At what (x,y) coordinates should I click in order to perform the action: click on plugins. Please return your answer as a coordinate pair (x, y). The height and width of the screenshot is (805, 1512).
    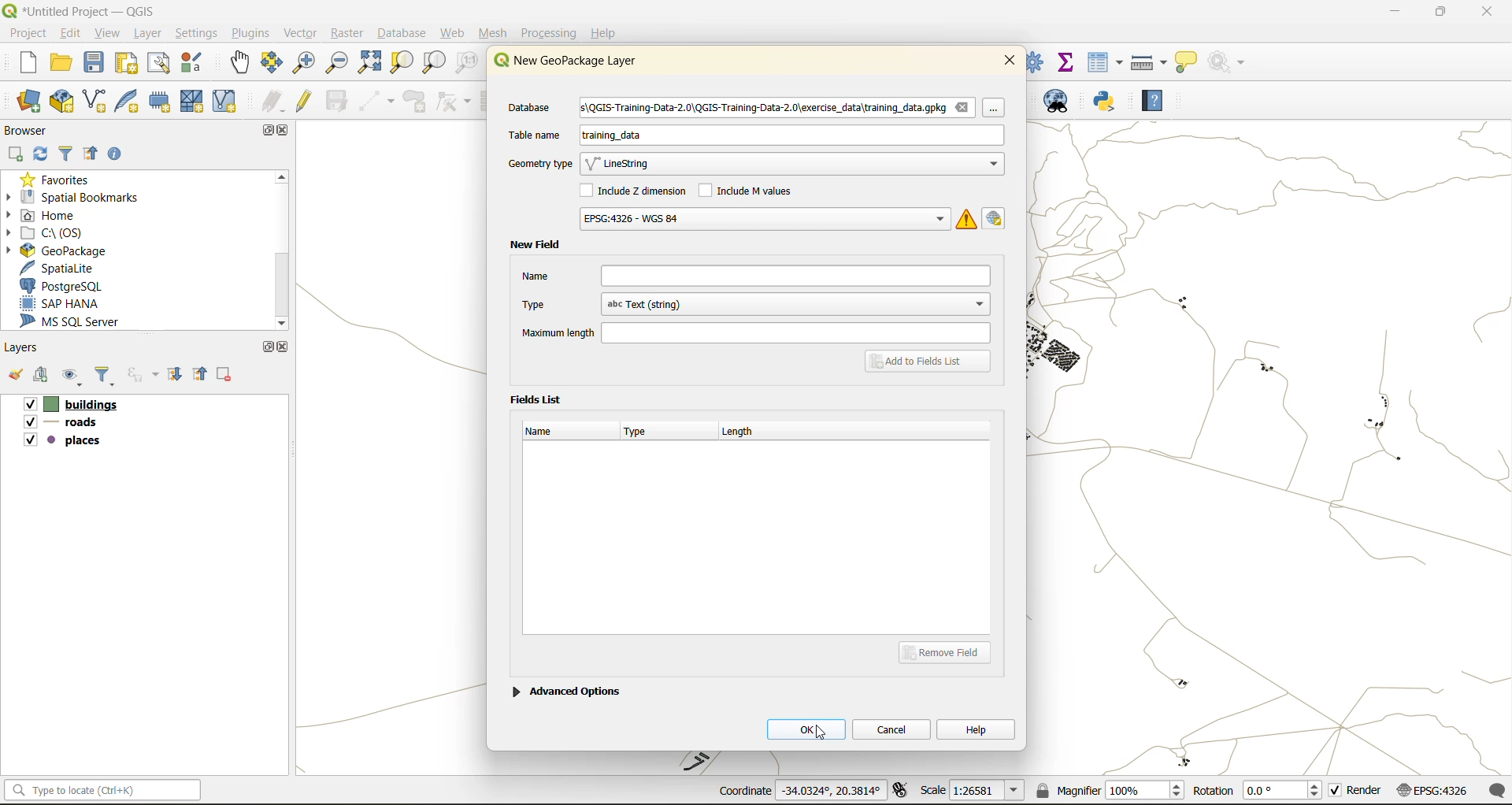
    Looking at the image, I should click on (250, 33).